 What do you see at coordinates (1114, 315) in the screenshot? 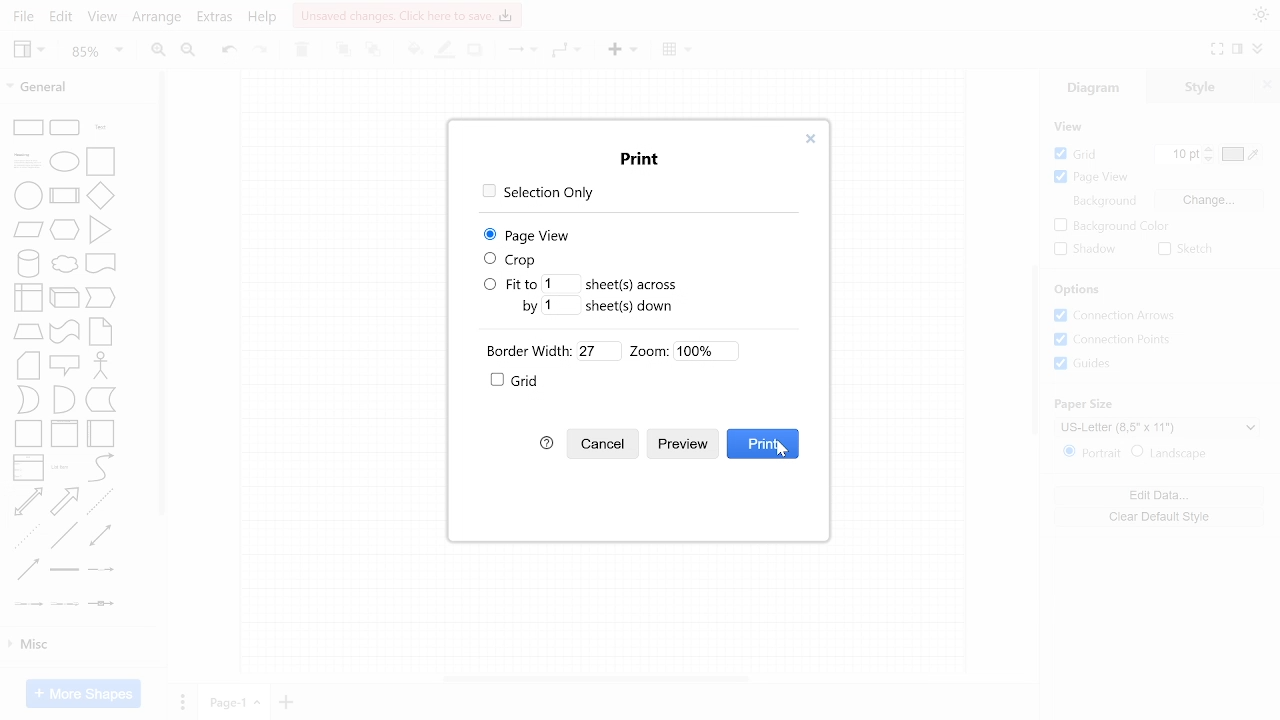
I see `Connection arrows` at bounding box center [1114, 315].